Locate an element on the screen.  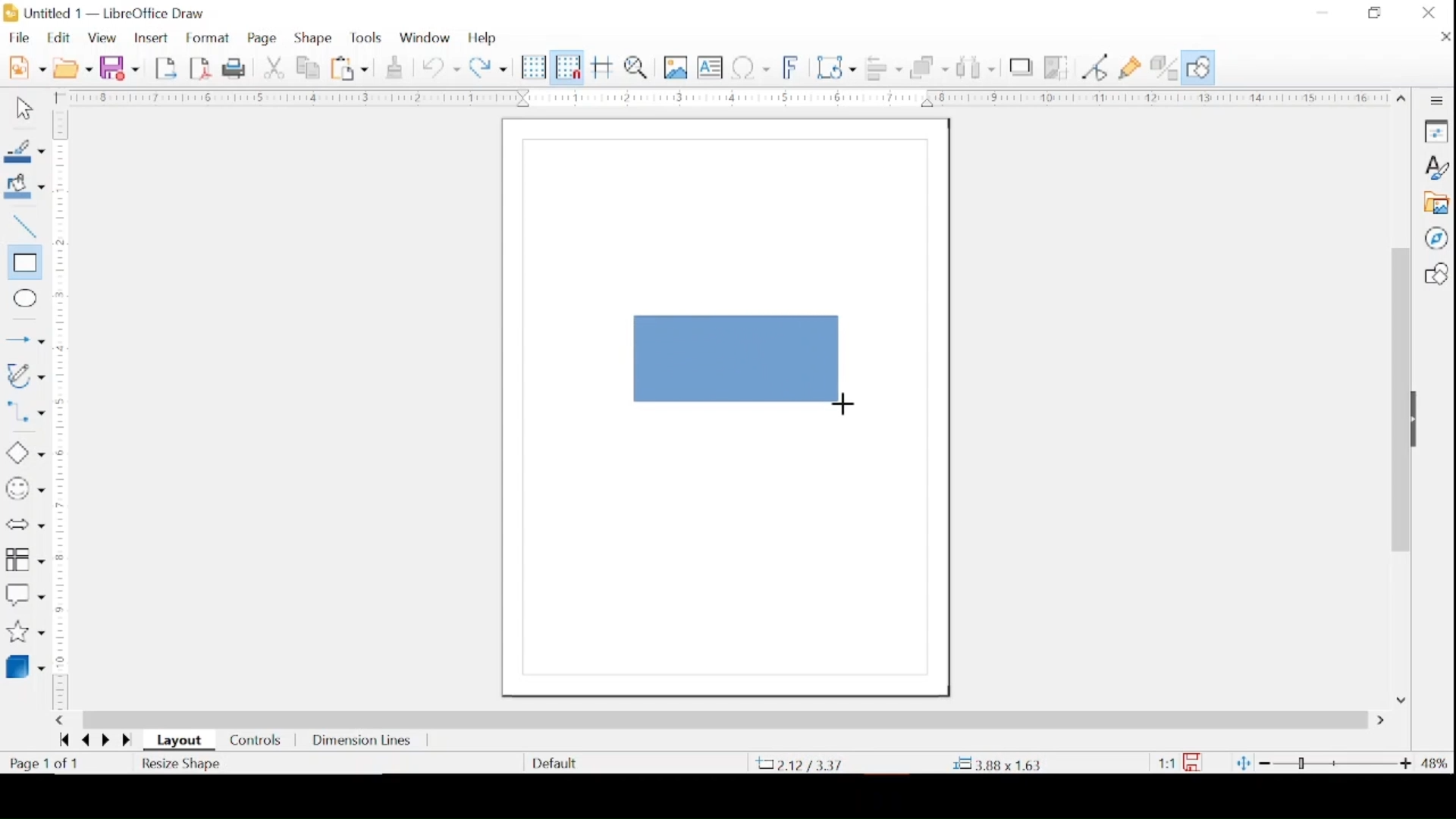
insert special characters is located at coordinates (751, 67).